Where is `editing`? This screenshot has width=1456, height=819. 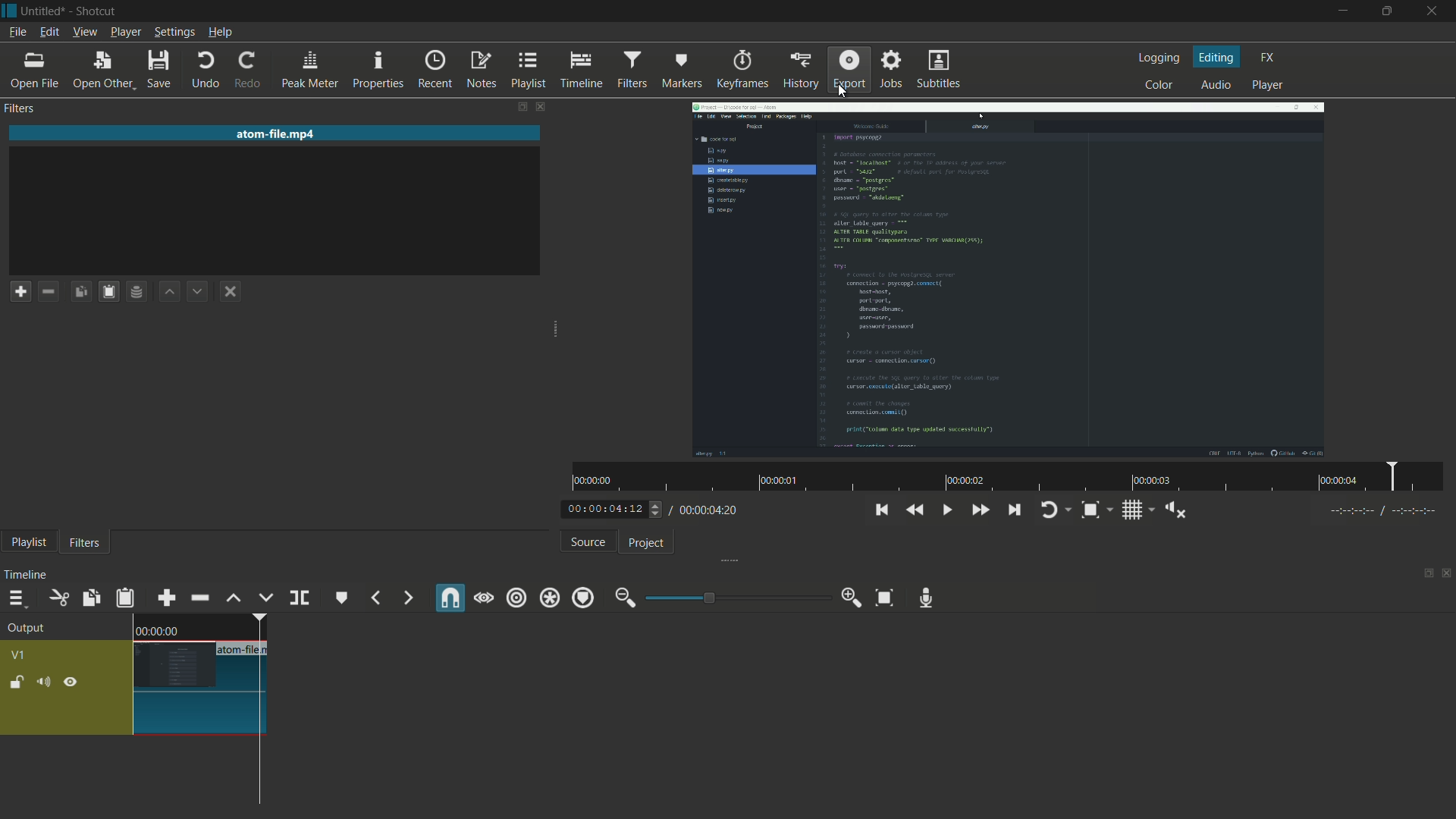 editing is located at coordinates (1218, 58).